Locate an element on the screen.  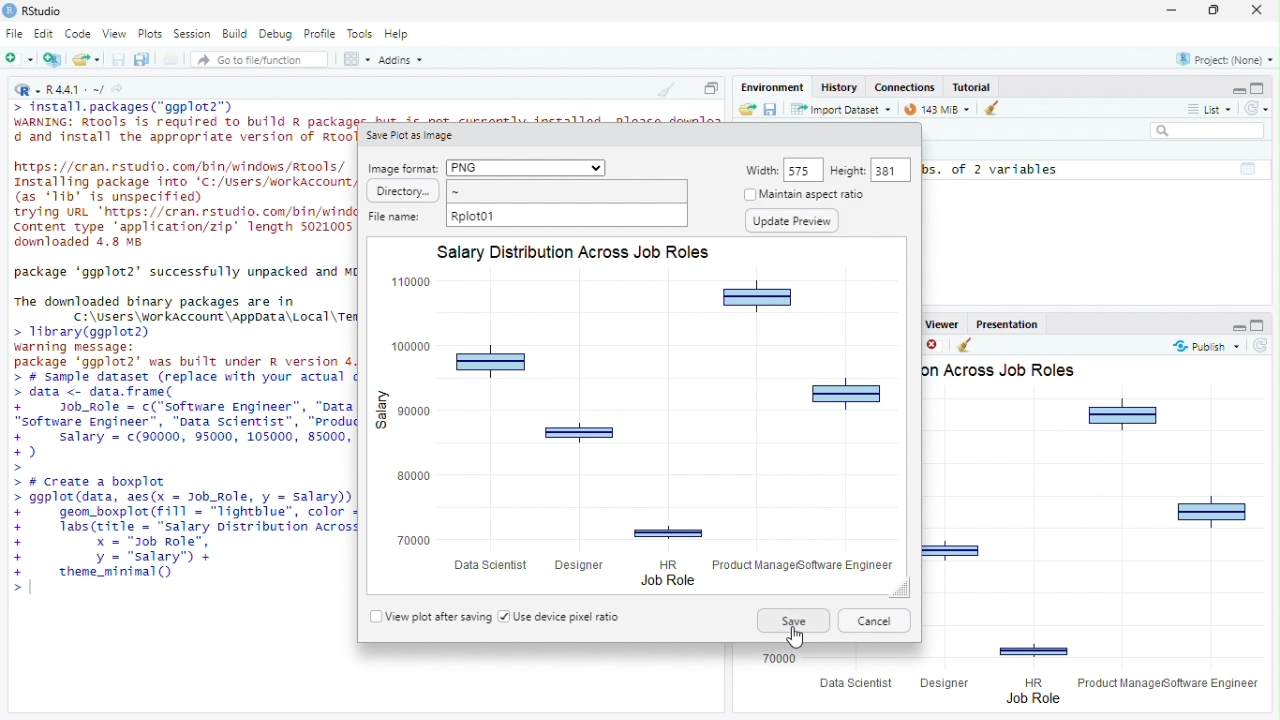
Create  a project is located at coordinates (54, 59).